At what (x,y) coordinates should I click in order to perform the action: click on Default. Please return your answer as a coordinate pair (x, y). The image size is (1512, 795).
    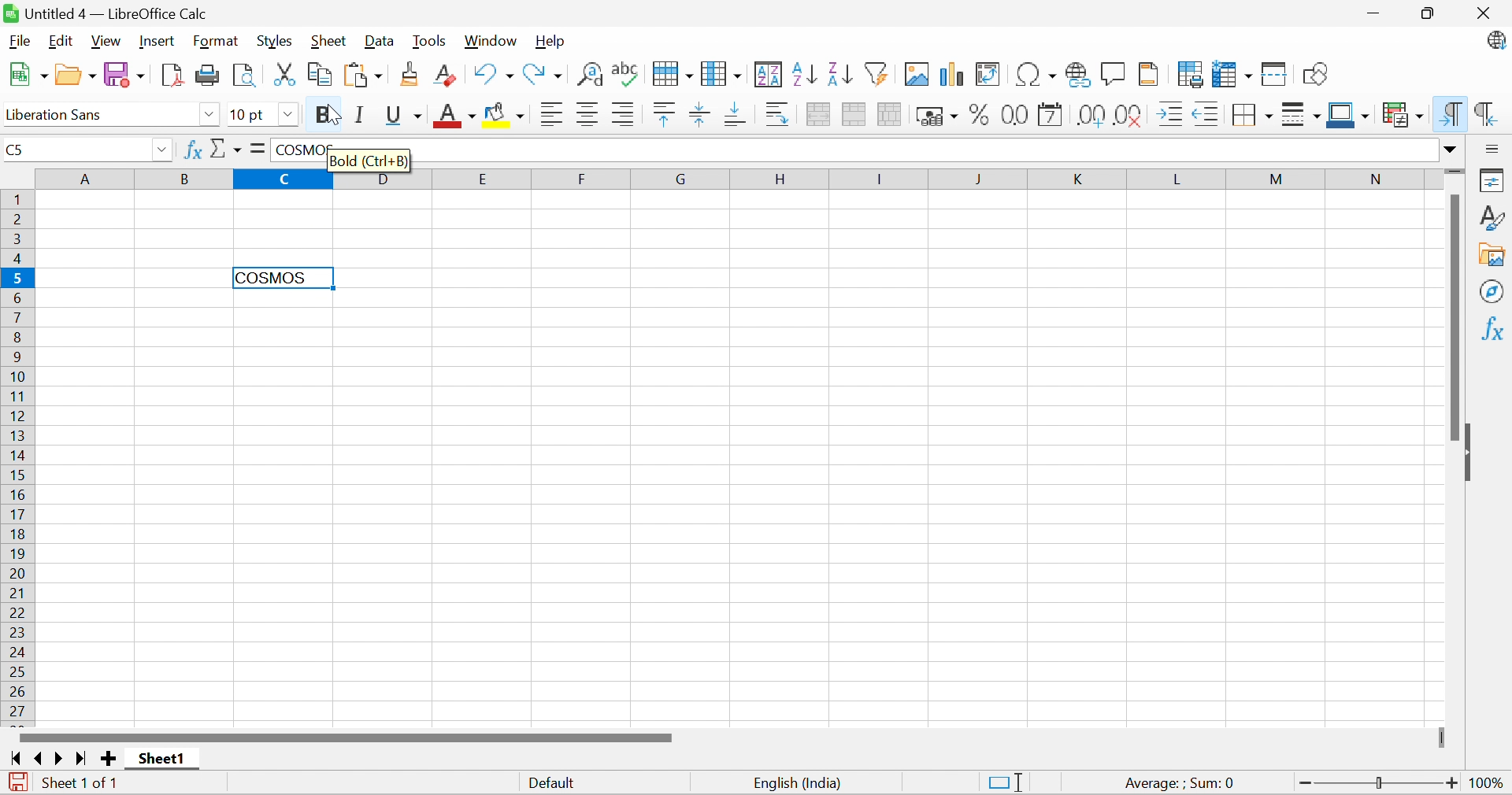
    Looking at the image, I should click on (552, 784).